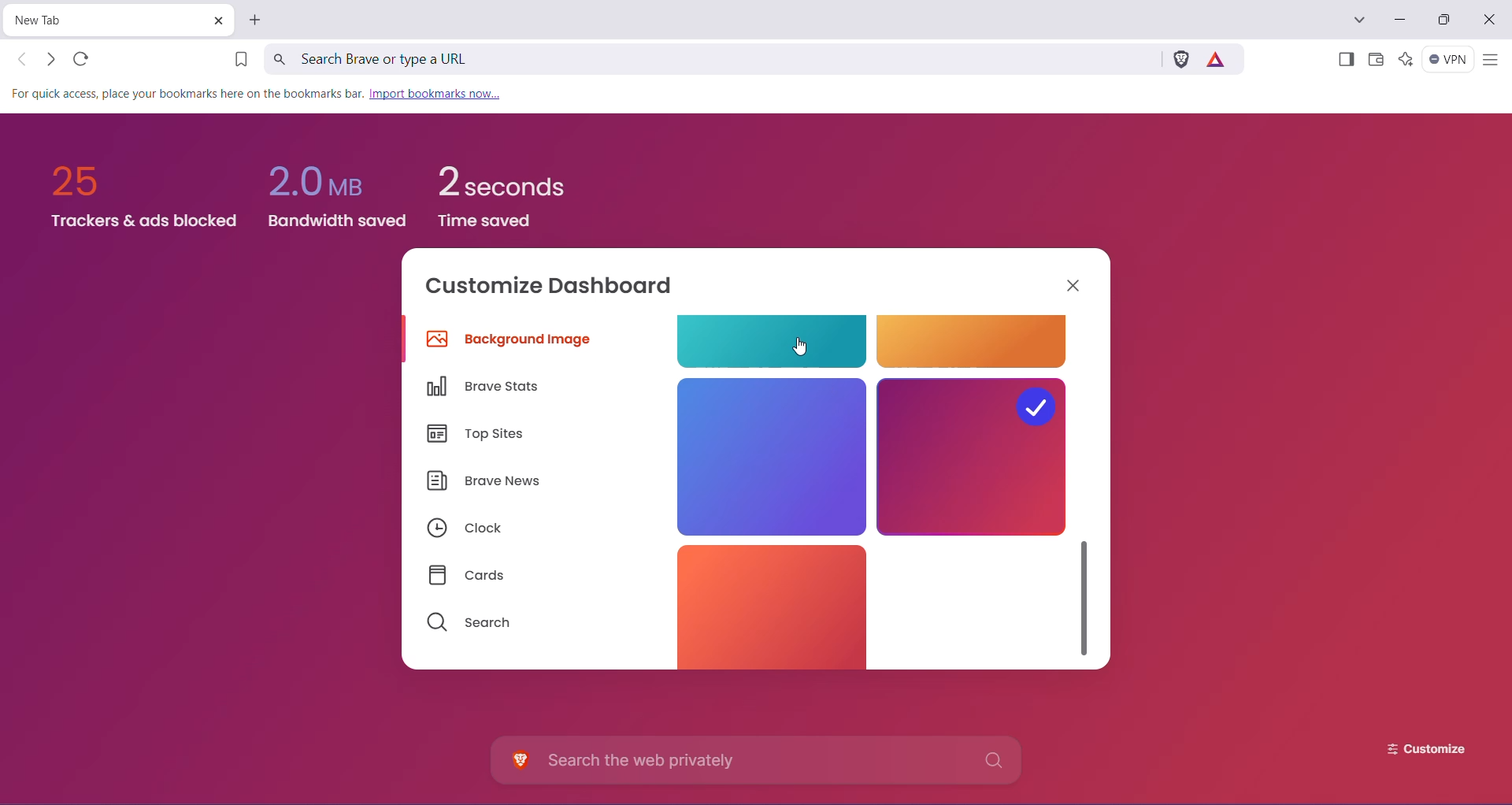 This screenshot has height=805, width=1512. What do you see at coordinates (473, 576) in the screenshot?
I see `Cards` at bounding box center [473, 576].